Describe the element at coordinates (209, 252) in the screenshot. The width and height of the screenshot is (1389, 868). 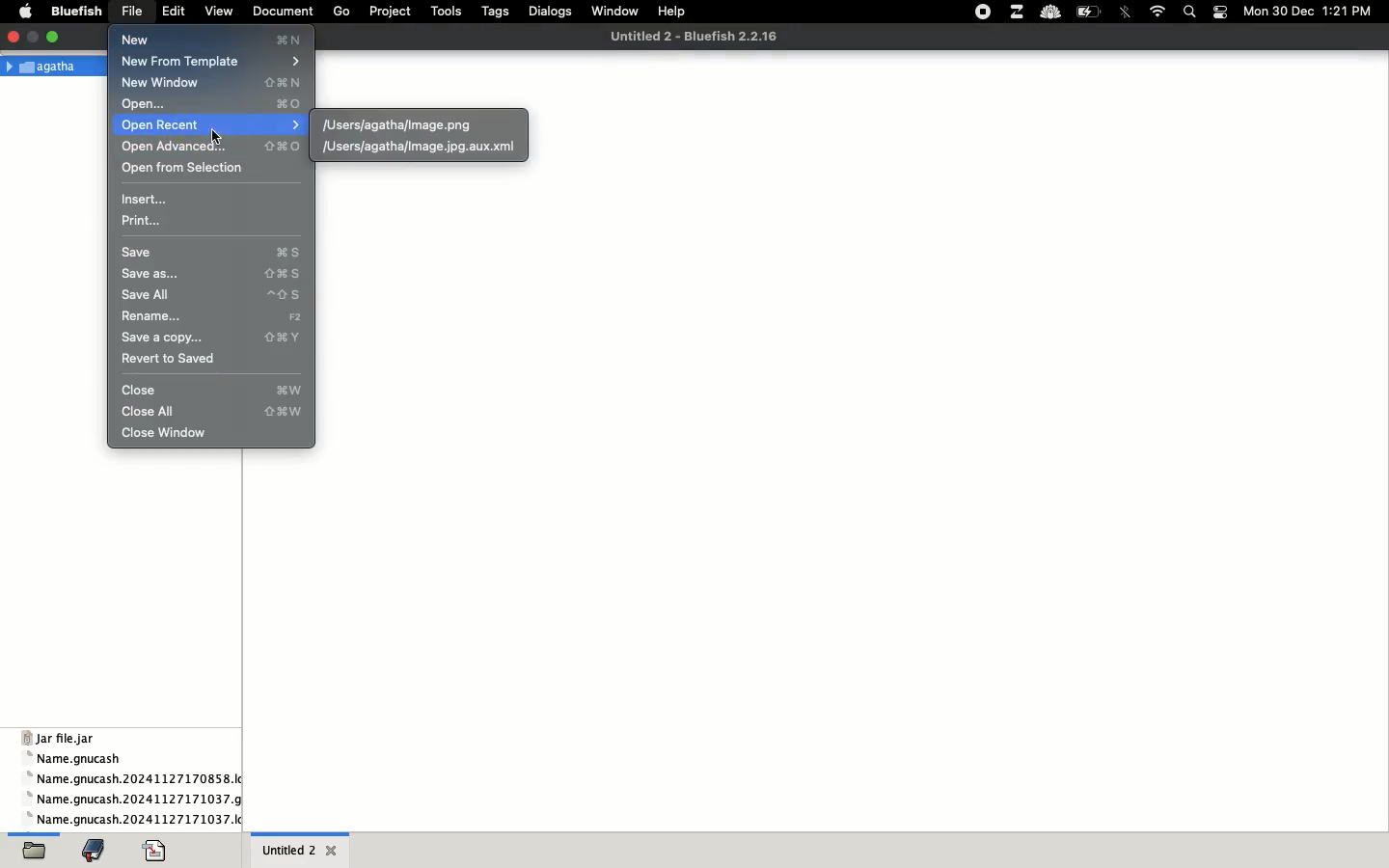
I see `save` at that location.